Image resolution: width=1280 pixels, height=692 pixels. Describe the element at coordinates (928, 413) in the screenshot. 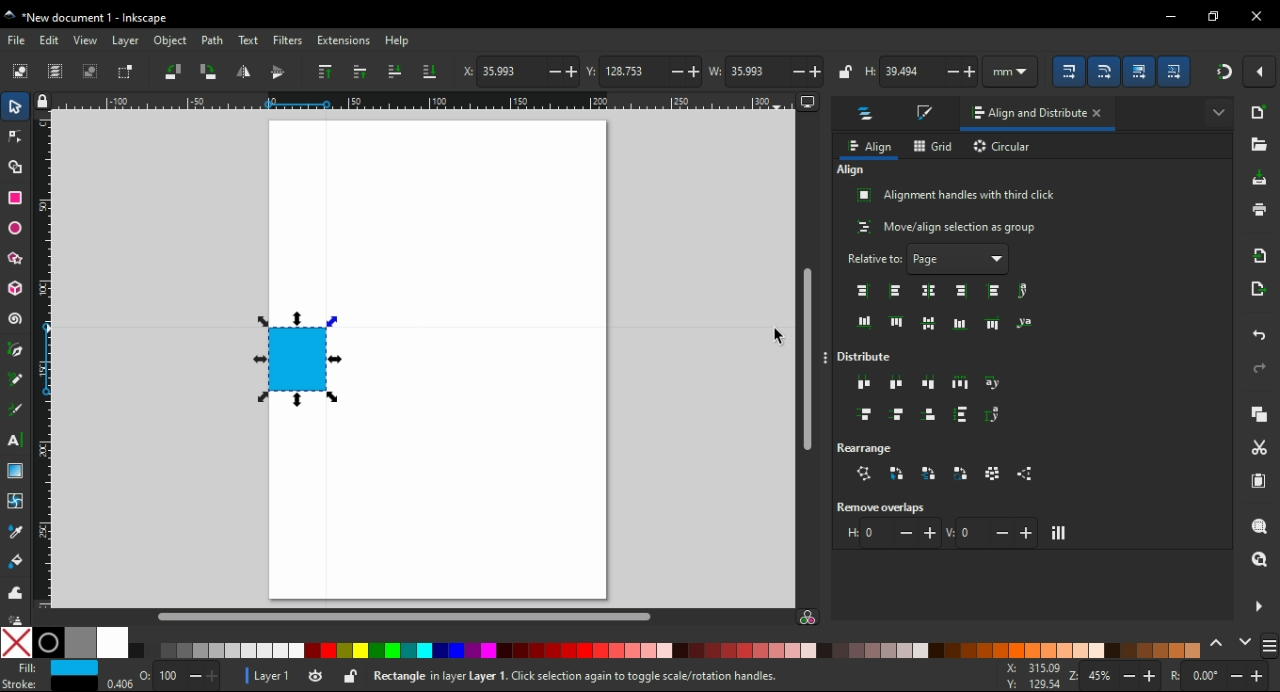

I see `distribute vertically with even spacing between bottom edges` at that location.